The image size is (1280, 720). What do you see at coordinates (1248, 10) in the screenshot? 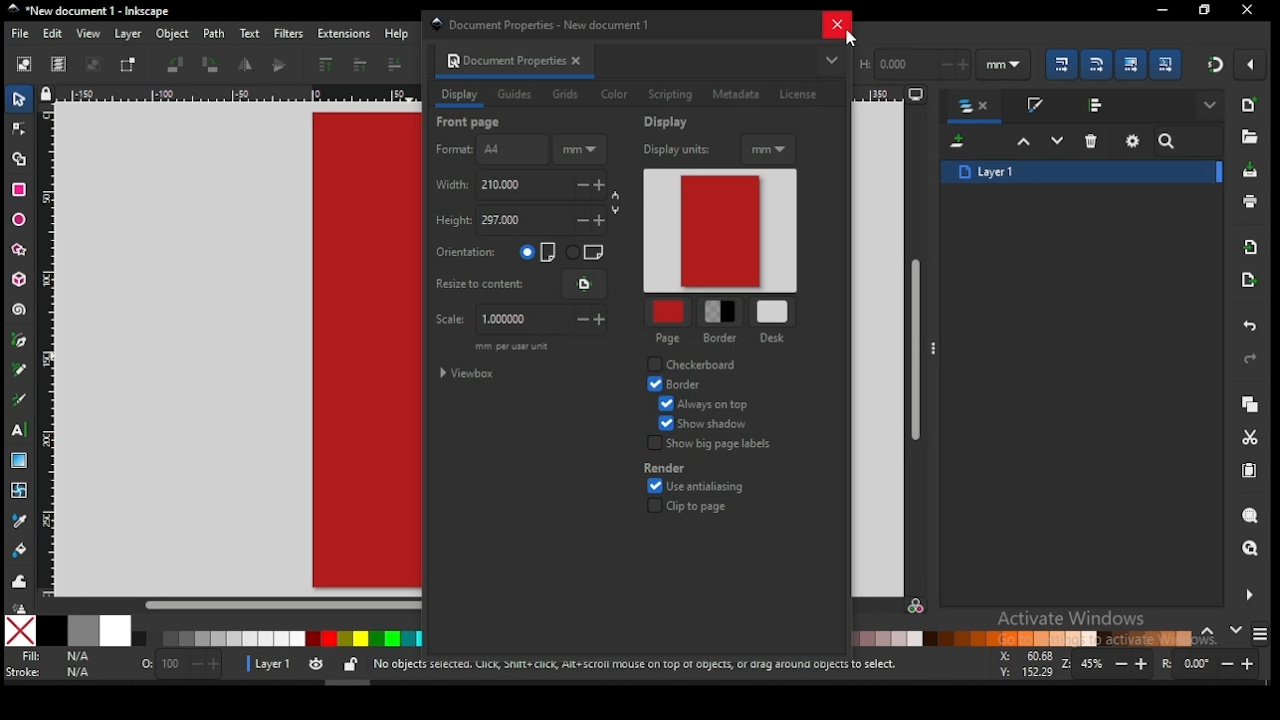
I see `restore` at bounding box center [1248, 10].